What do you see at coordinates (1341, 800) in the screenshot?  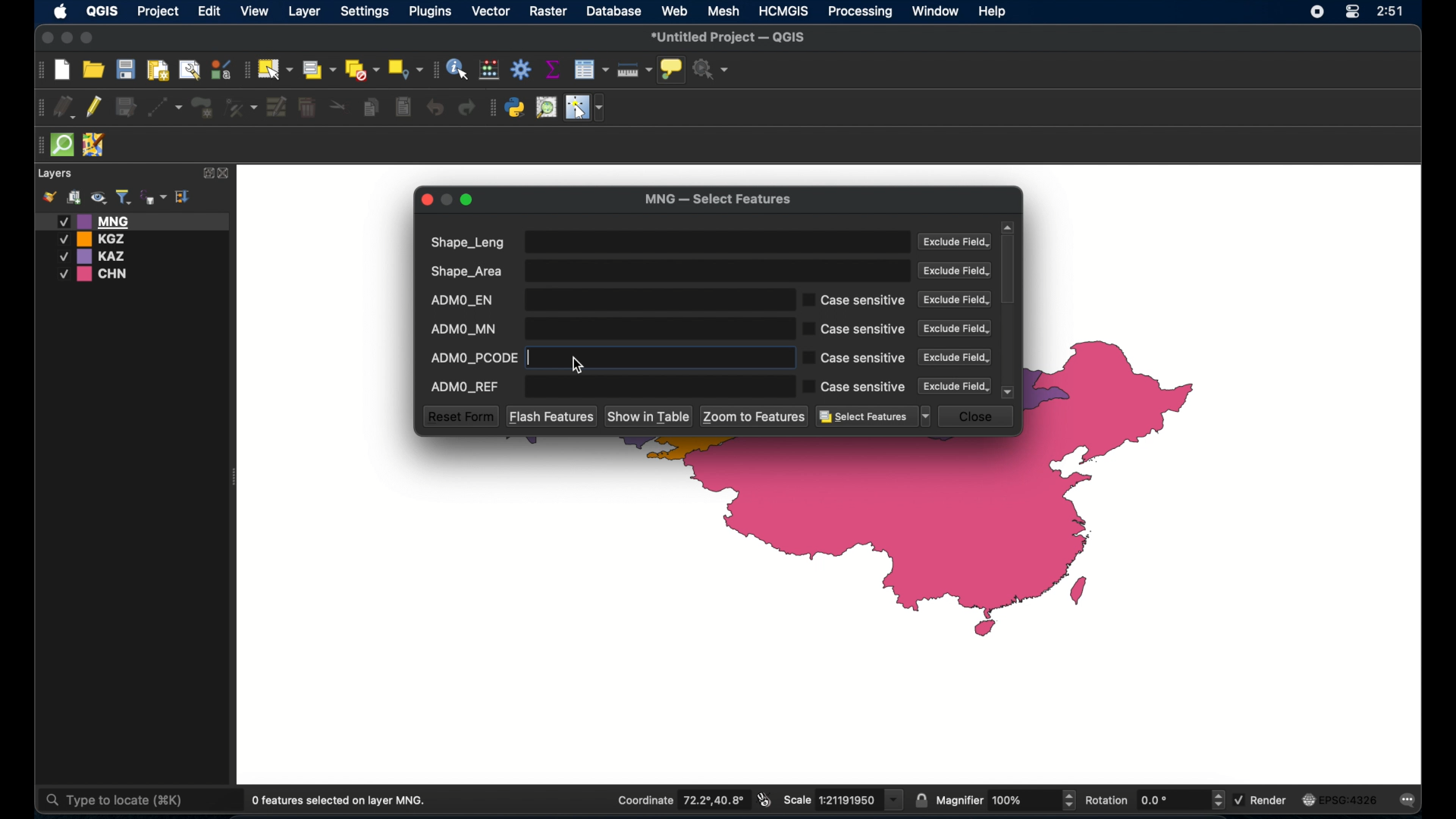 I see `EPSG:4326` at bounding box center [1341, 800].